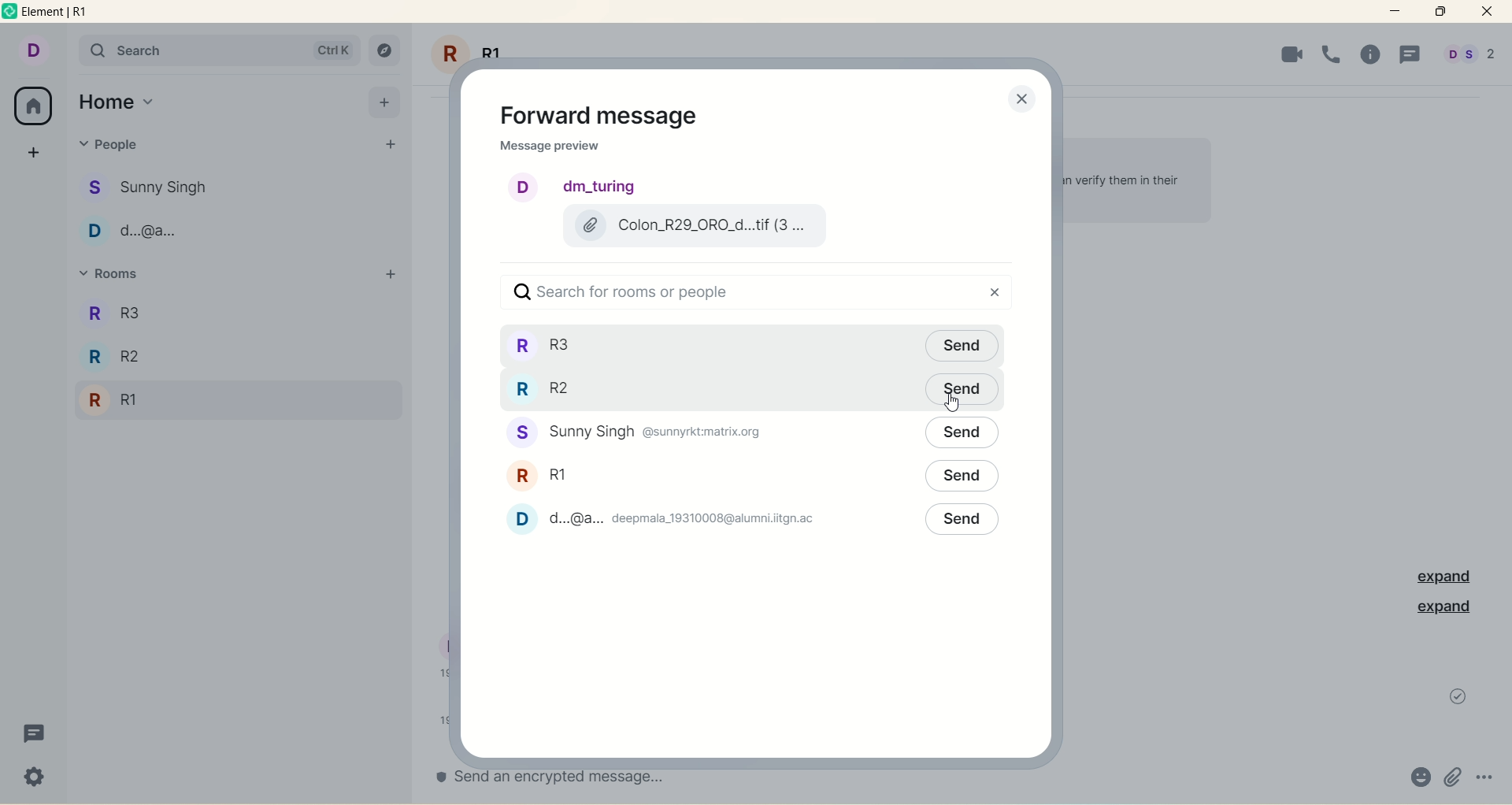 Image resolution: width=1512 pixels, height=805 pixels. I want to click on people, so click(641, 433).